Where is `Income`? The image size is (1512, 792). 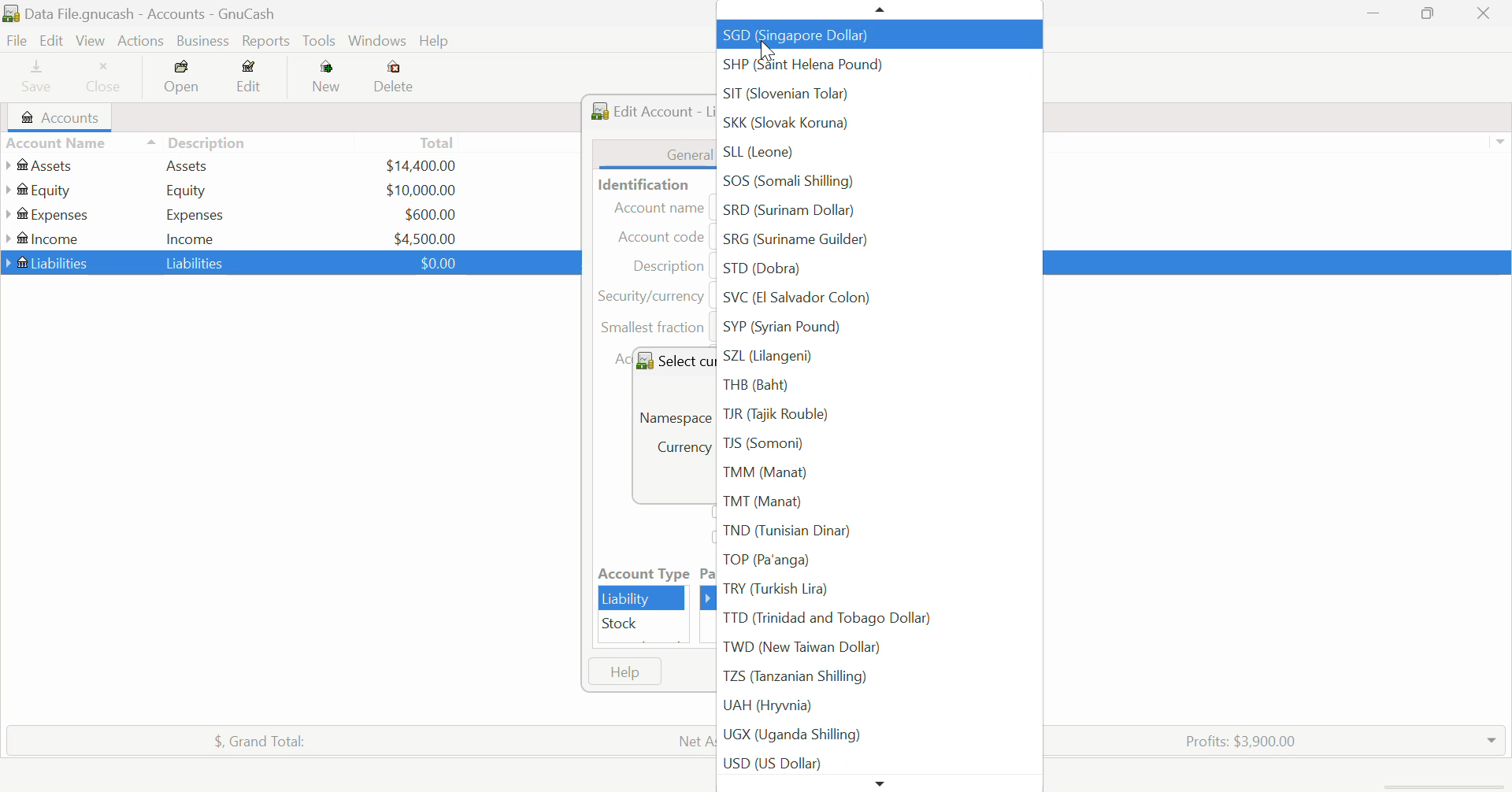
Income is located at coordinates (191, 238).